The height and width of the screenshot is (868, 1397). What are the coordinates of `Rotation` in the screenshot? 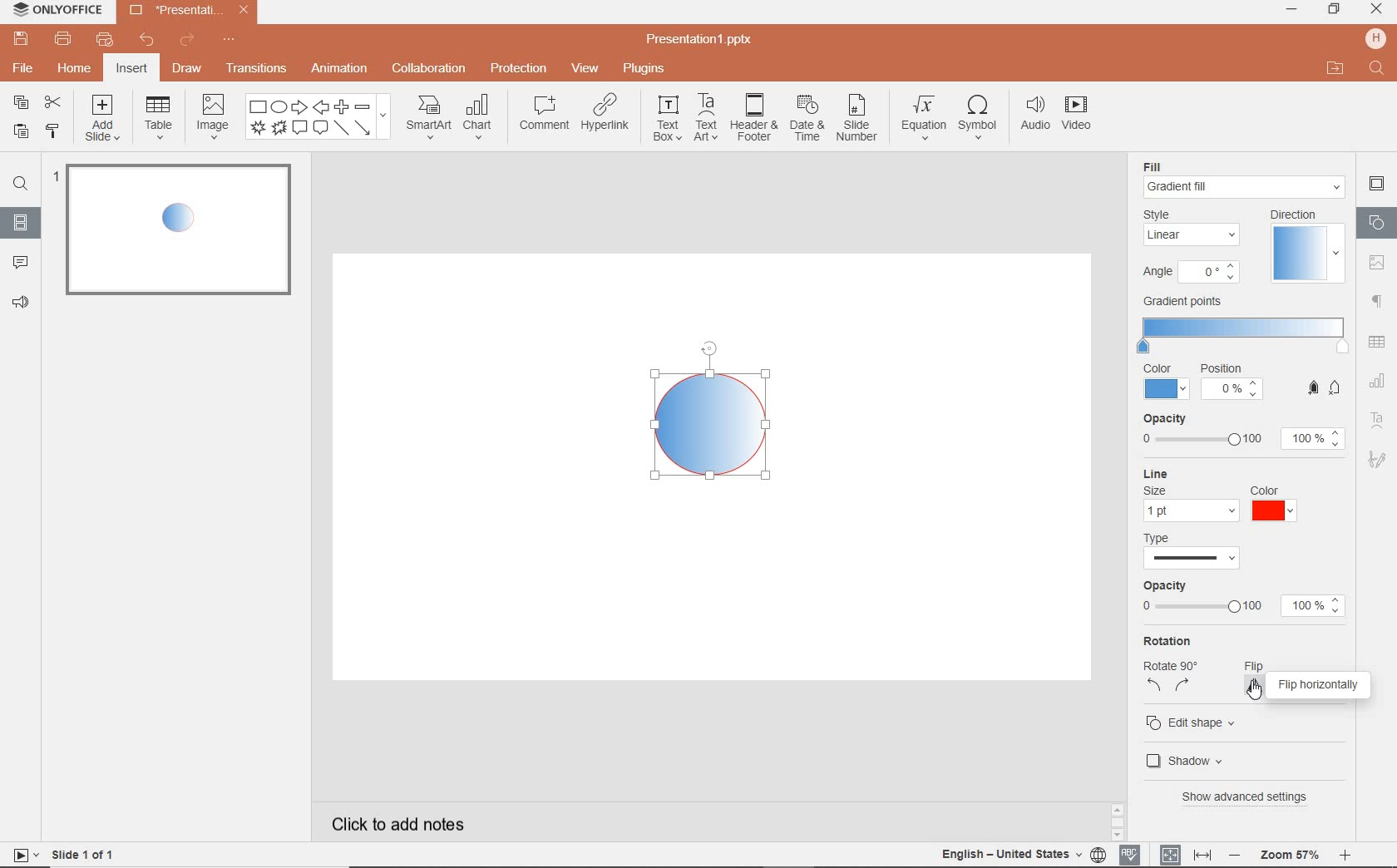 It's located at (1173, 641).